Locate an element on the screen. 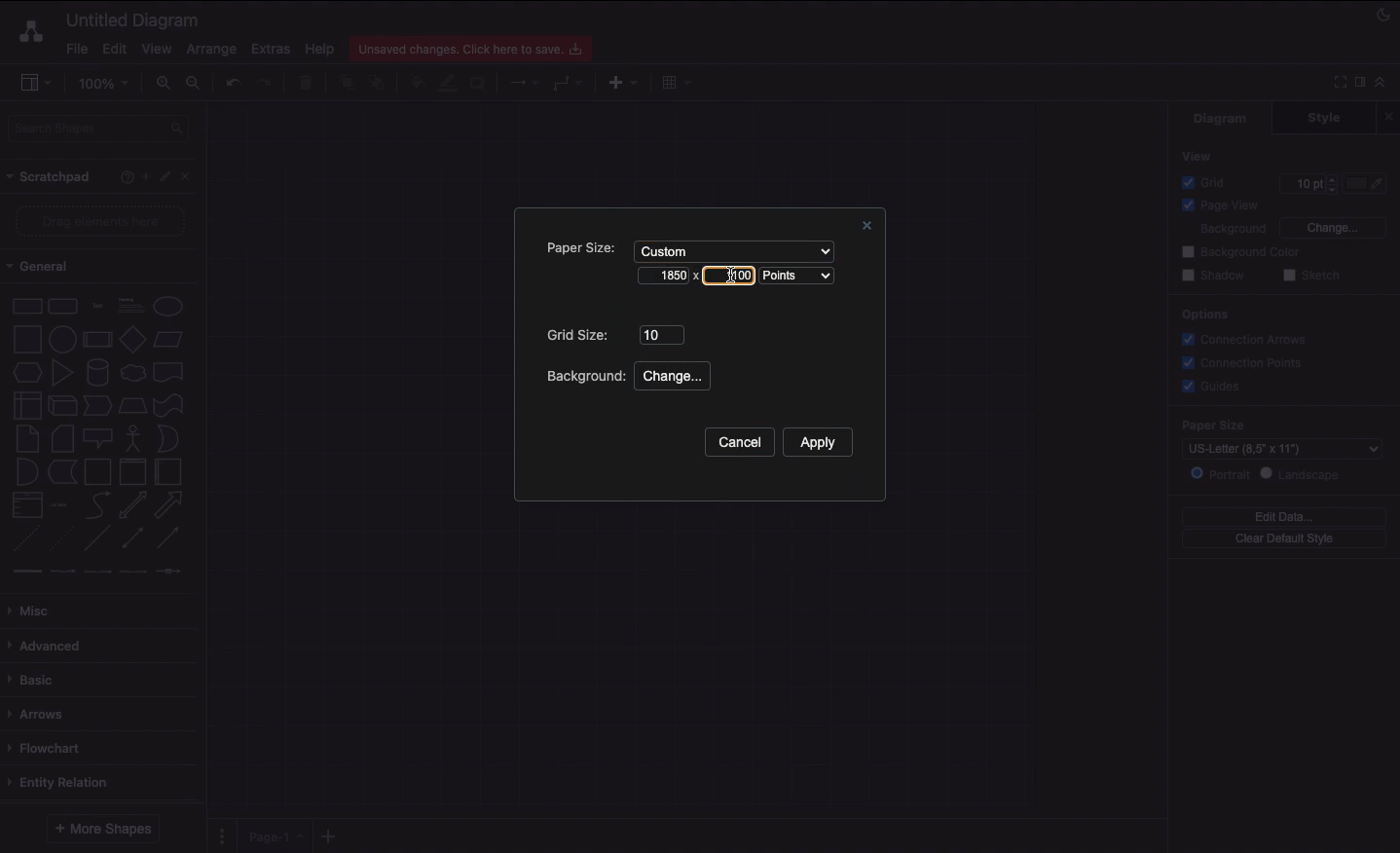 The height and width of the screenshot is (853, 1400). 1100 is located at coordinates (727, 275).